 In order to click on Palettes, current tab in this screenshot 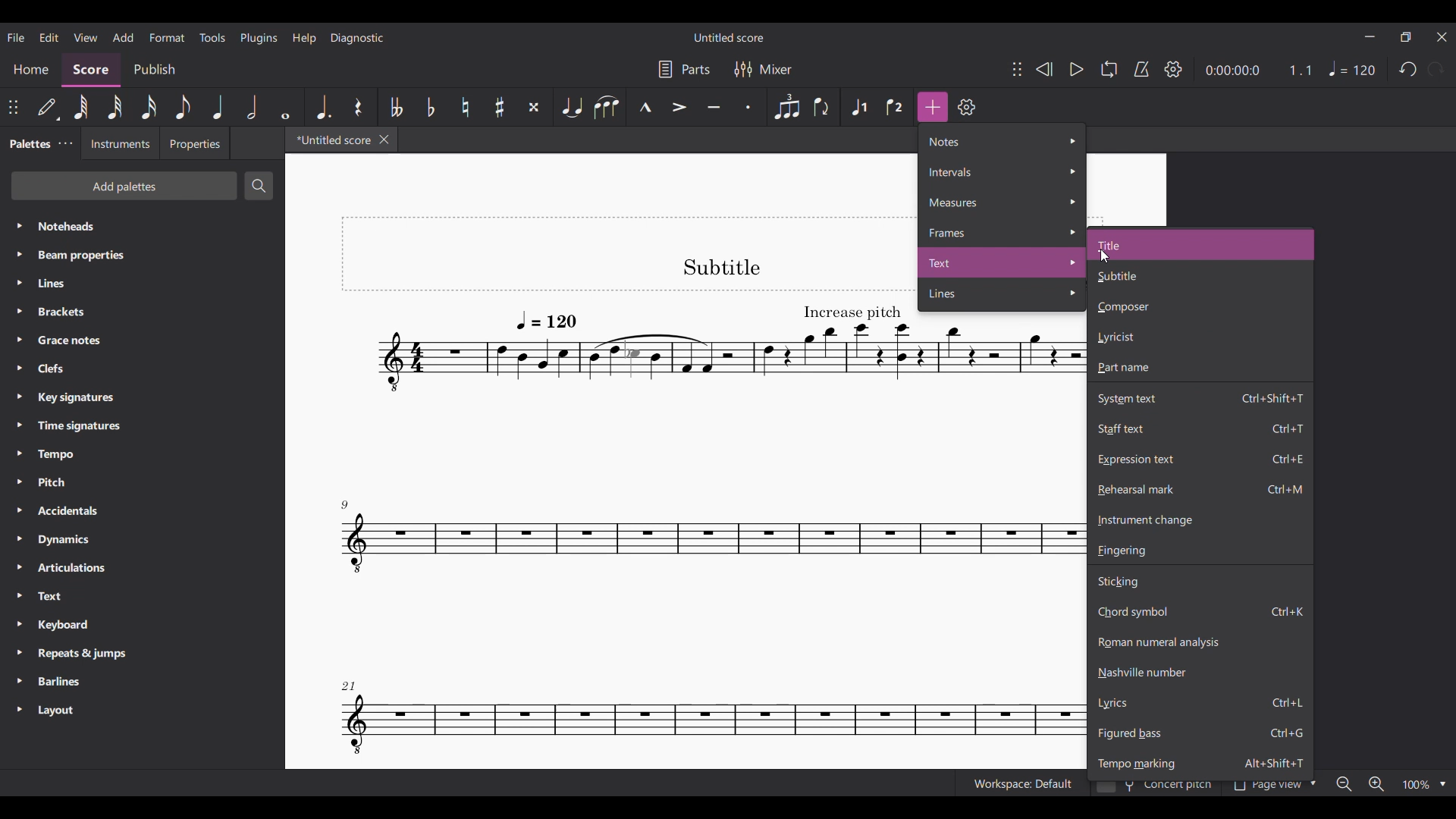, I will do `click(29, 144)`.